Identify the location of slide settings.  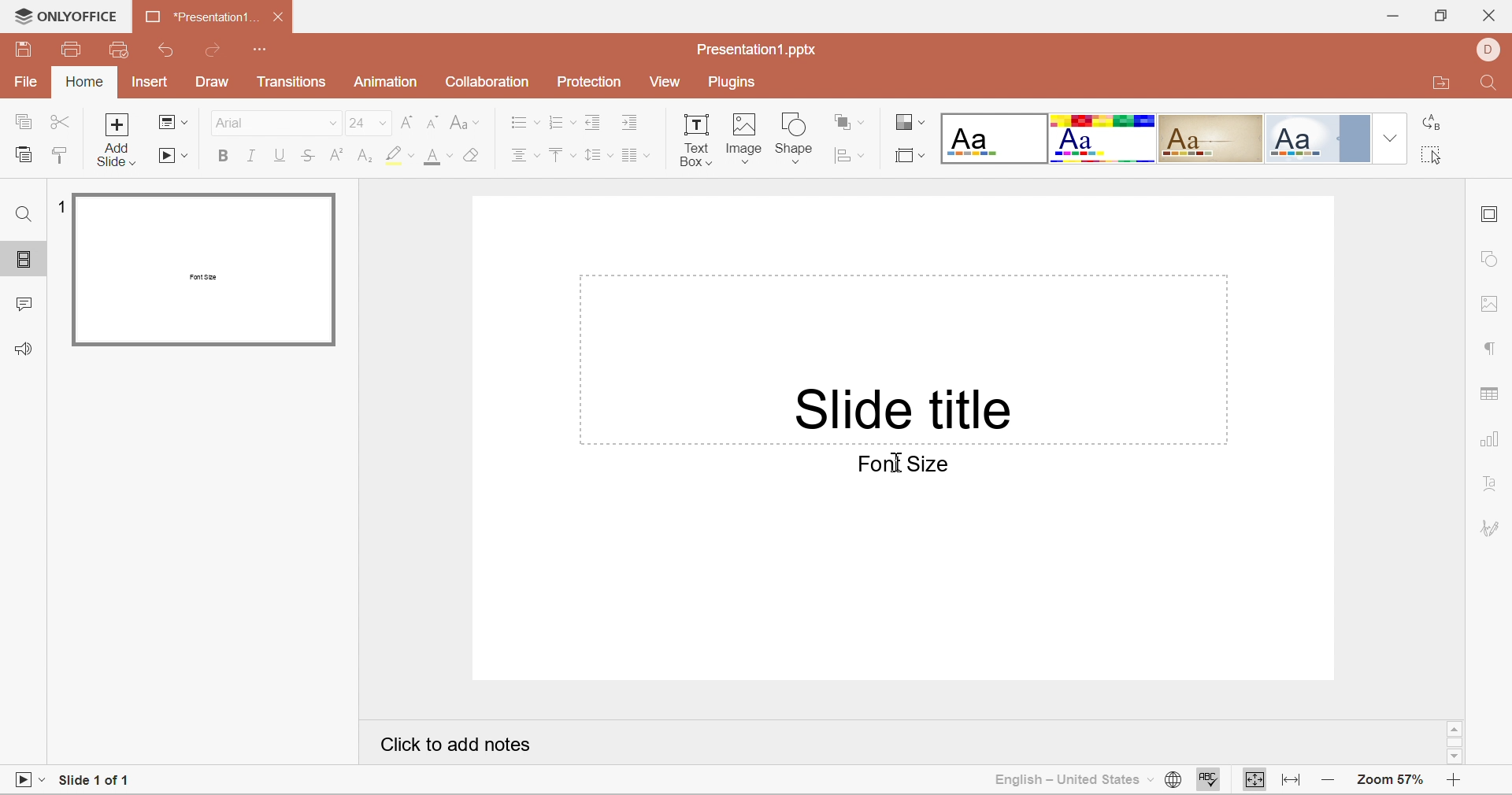
(1491, 217).